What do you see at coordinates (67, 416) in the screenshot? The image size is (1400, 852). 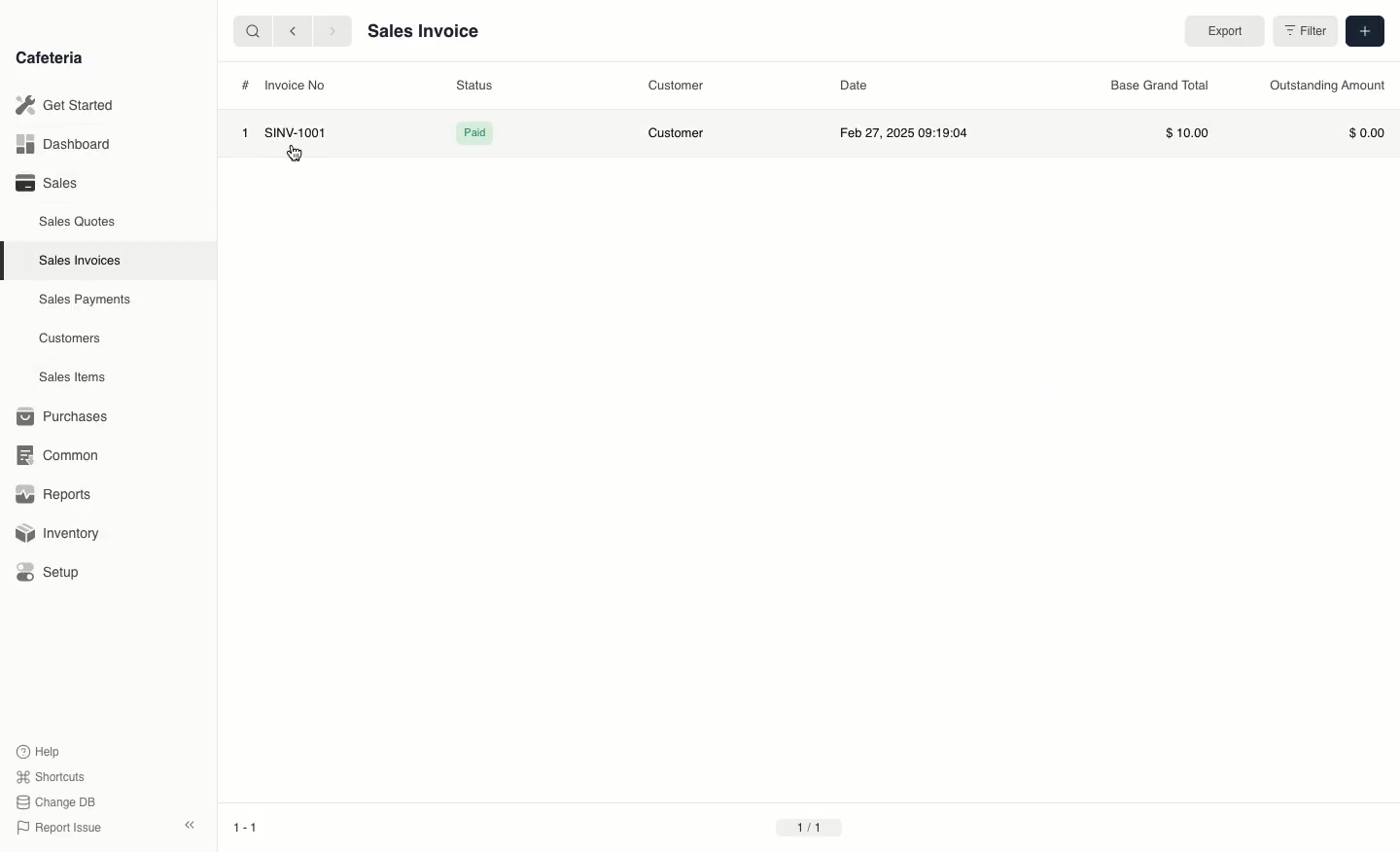 I see `Purchases` at bounding box center [67, 416].